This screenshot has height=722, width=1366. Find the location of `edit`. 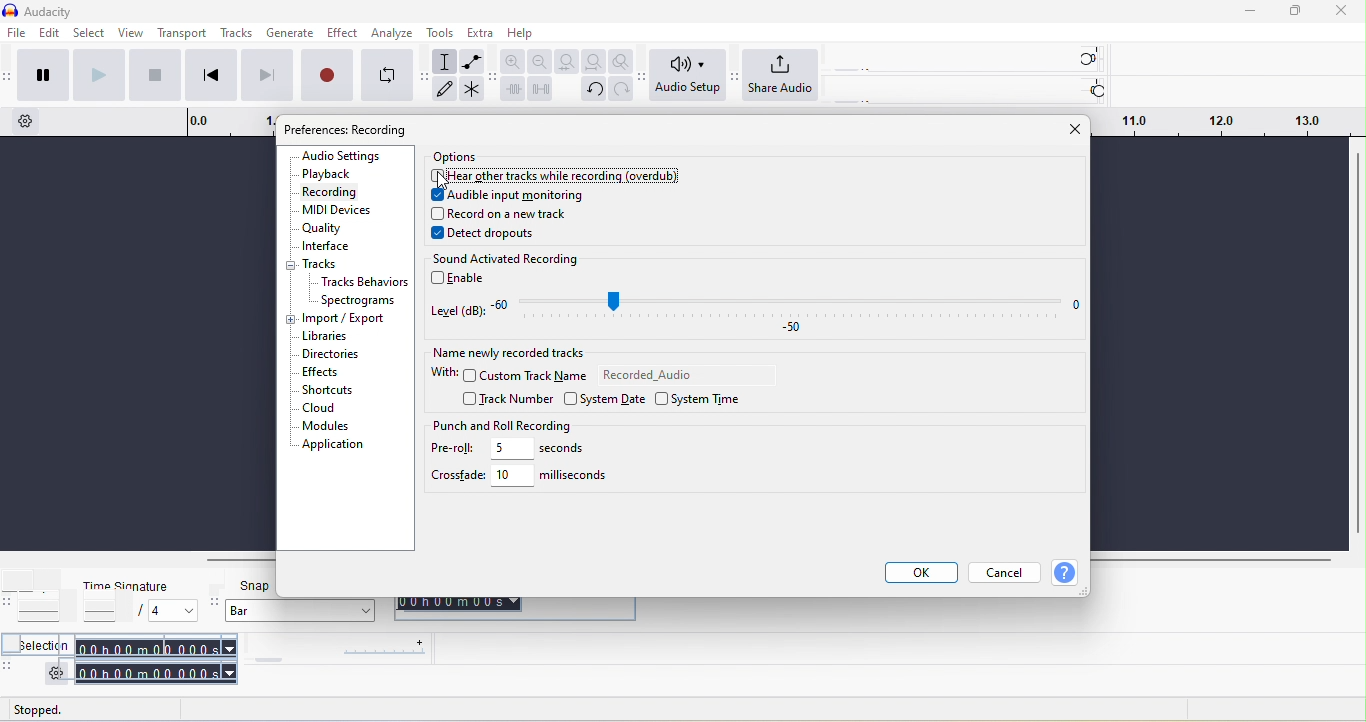

edit is located at coordinates (49, 32).